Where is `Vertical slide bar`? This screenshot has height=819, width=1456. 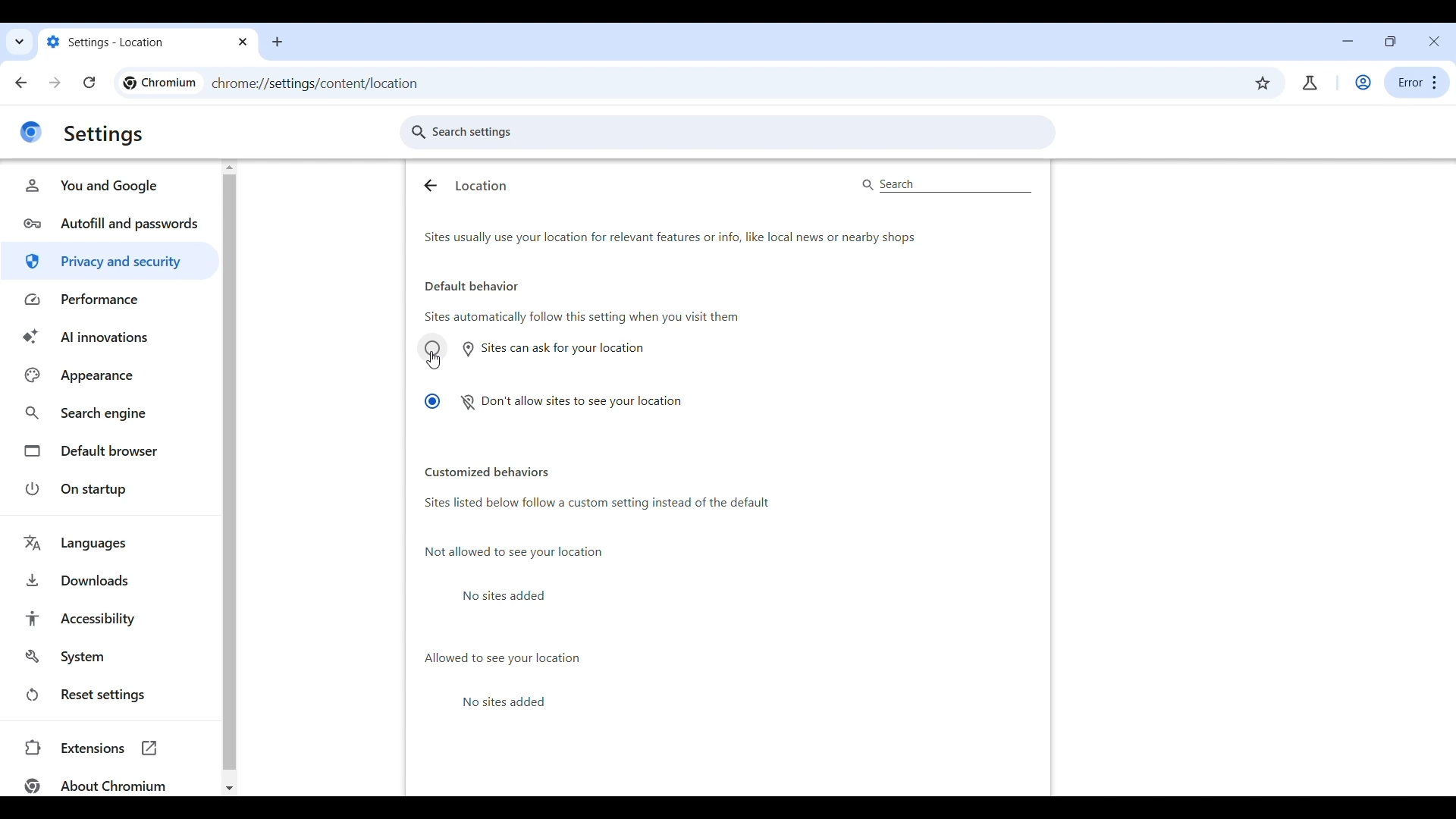
Vertical slide bar is located at coordinates (227, 472).